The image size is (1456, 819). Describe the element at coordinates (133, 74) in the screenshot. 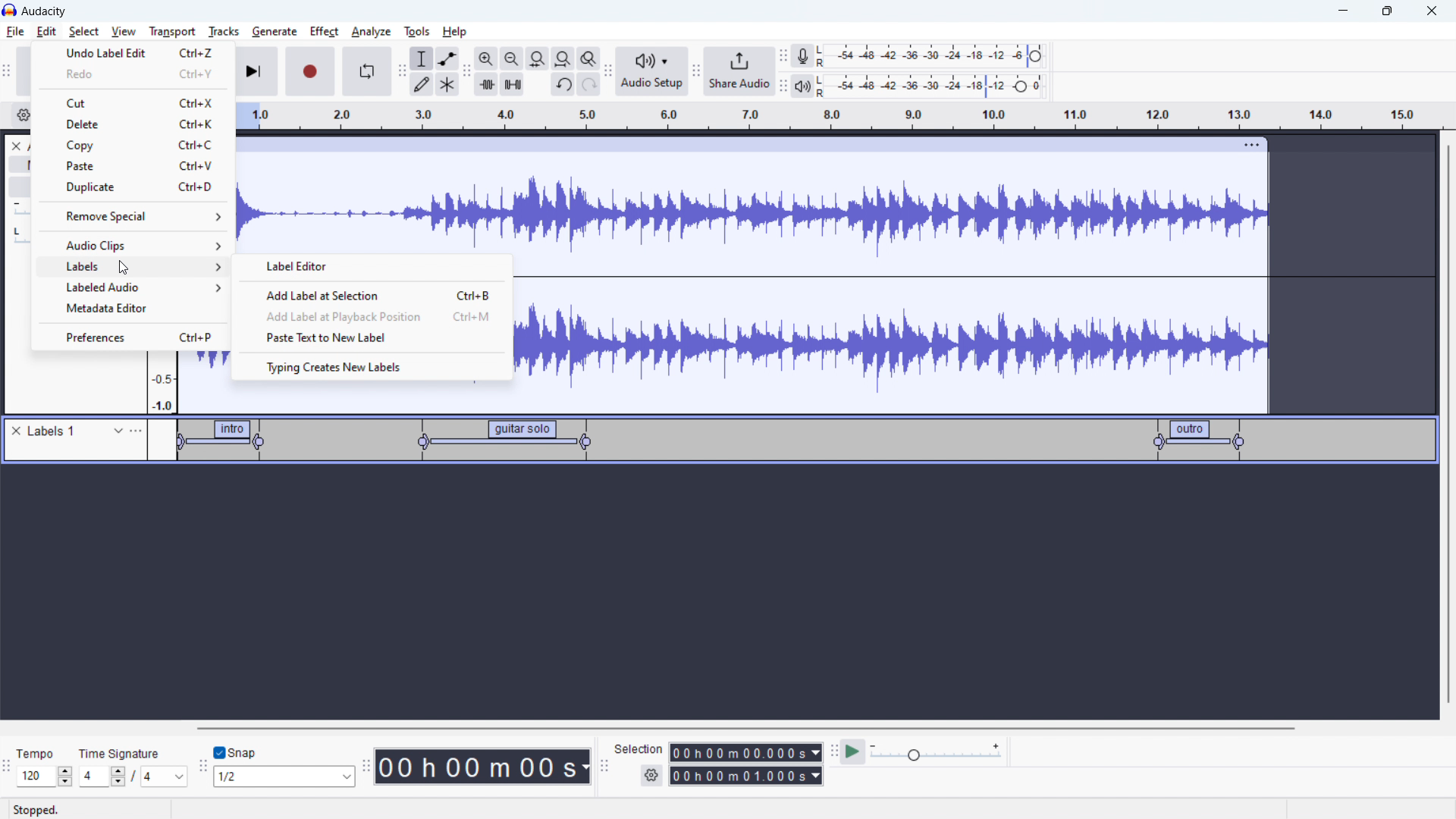

I see `redo` at that location.